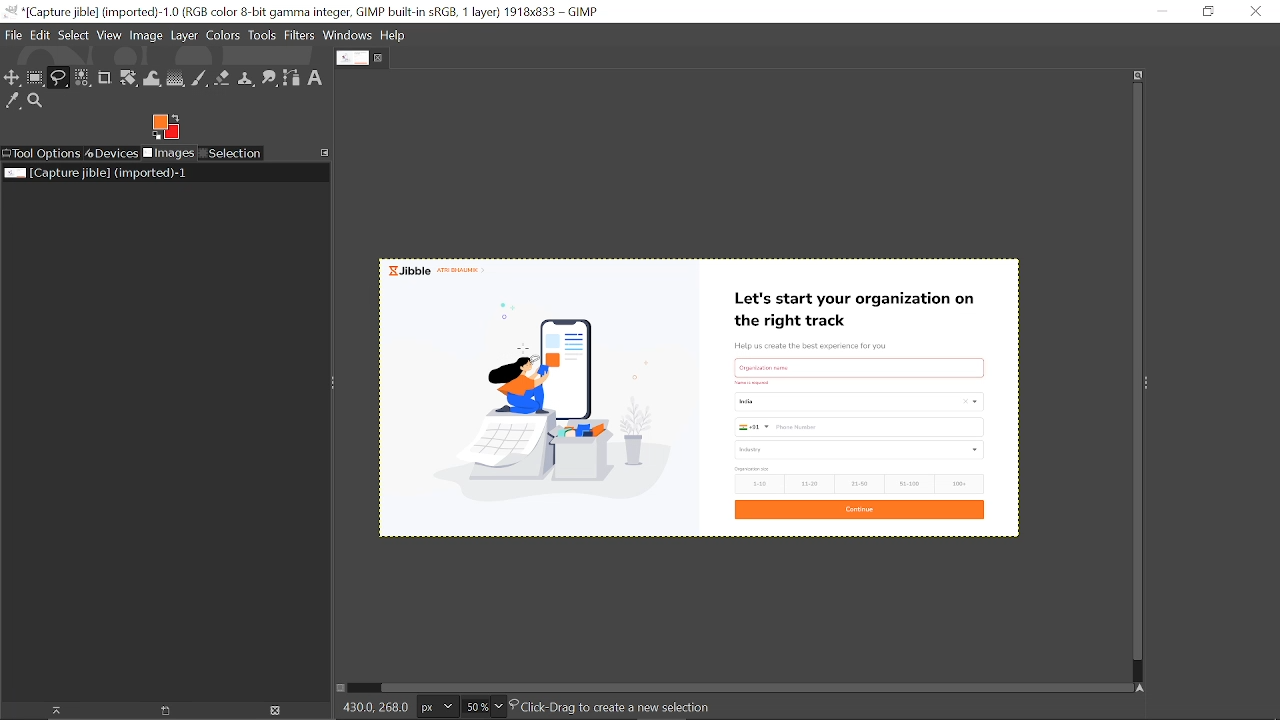 The width and height of the screenshot is (1280, 720). I want to click on Path tool, so click(292, 78).